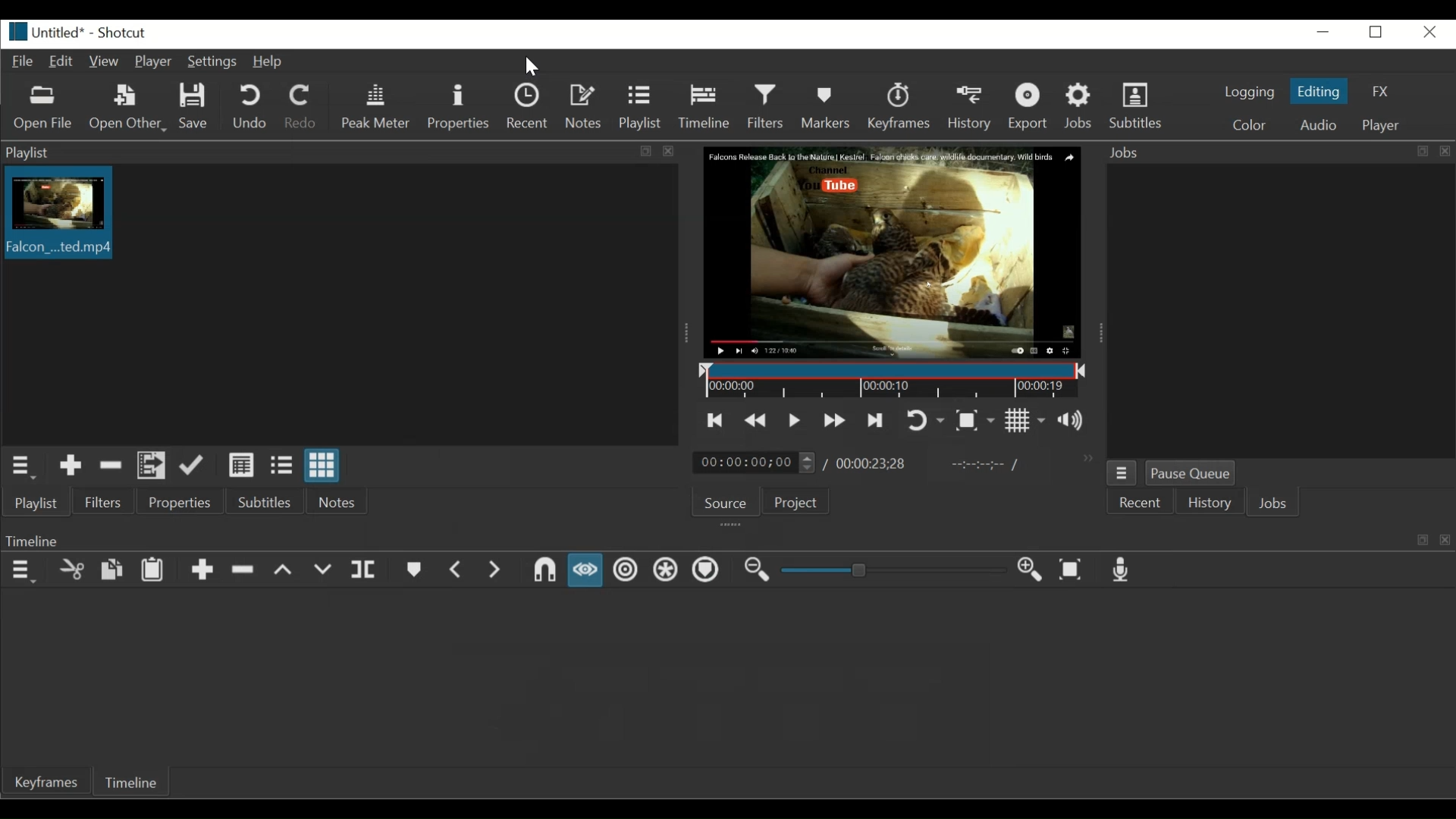  What do you see at coordinates (641, 108) in the screenshot?
I see `Playlist` at bounding box center [641, 108].